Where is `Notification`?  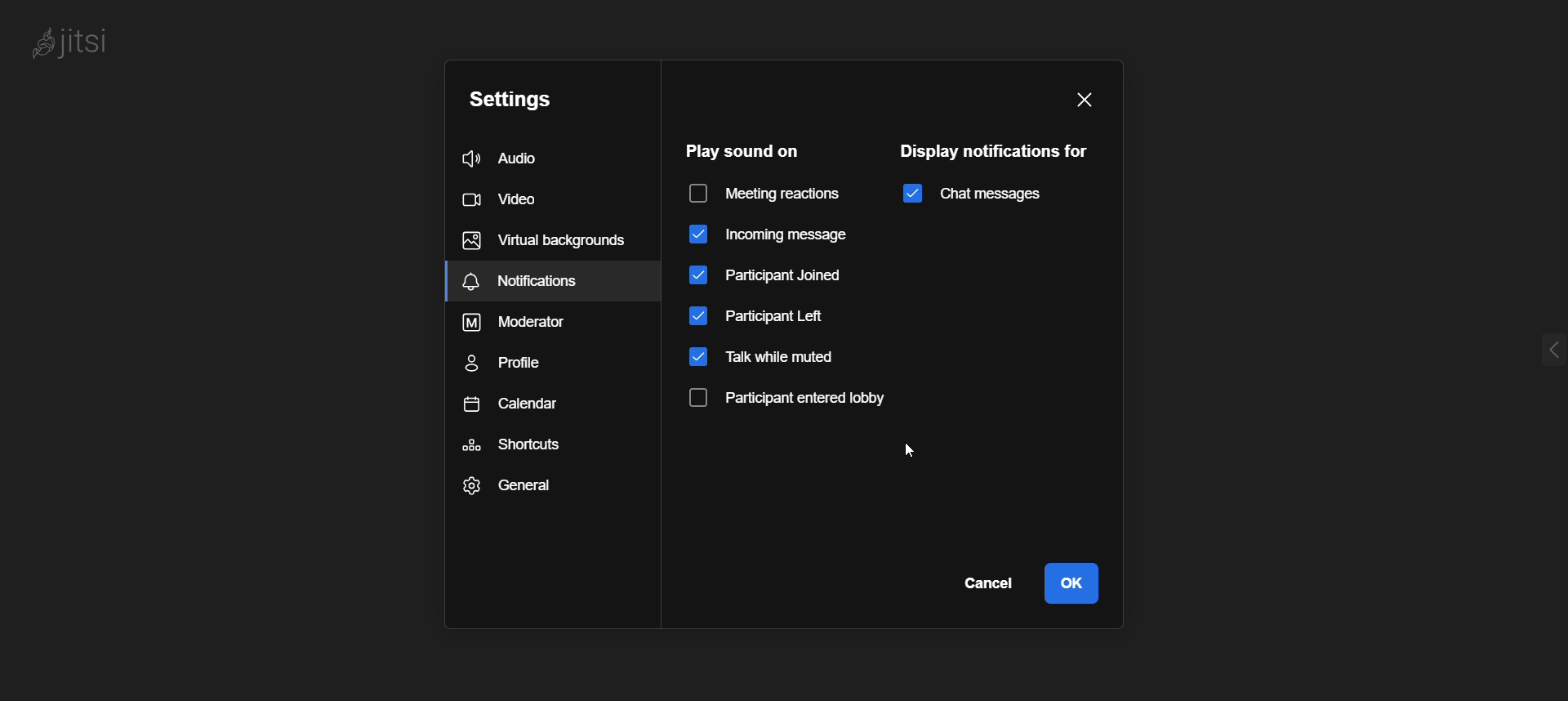
Notification is located at coordinates (552, 281).